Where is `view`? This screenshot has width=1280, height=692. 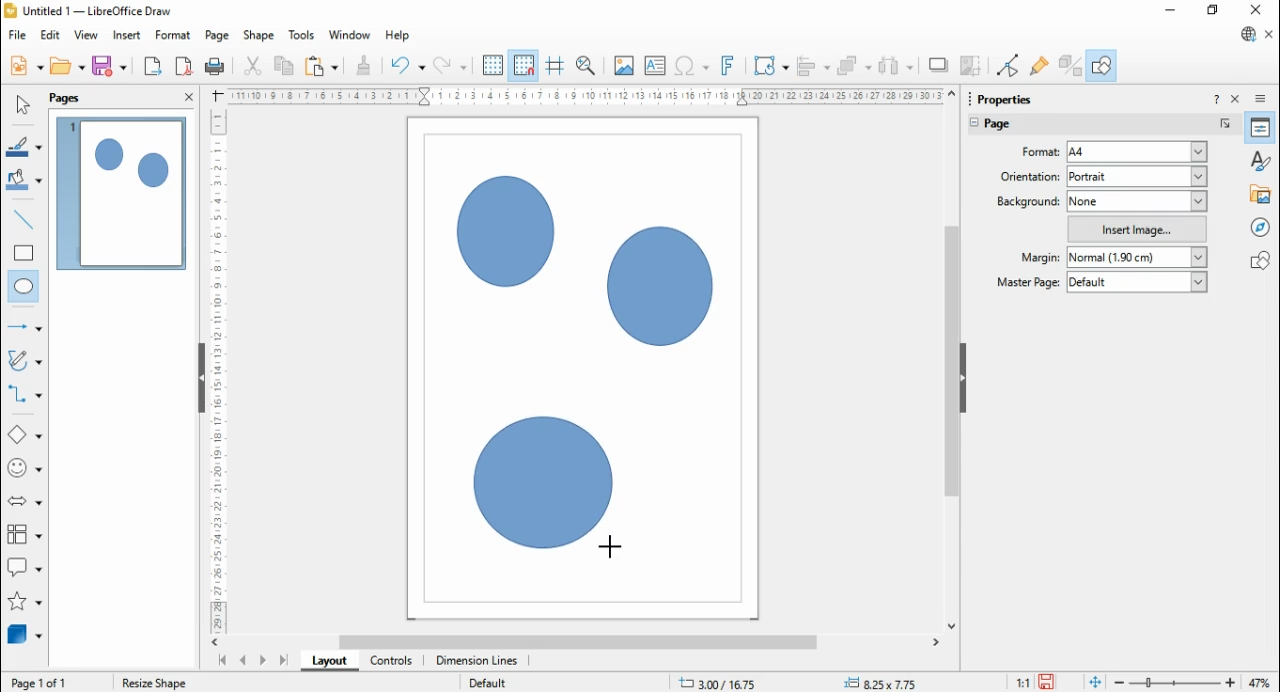
view is located at coordinates (86, 35).